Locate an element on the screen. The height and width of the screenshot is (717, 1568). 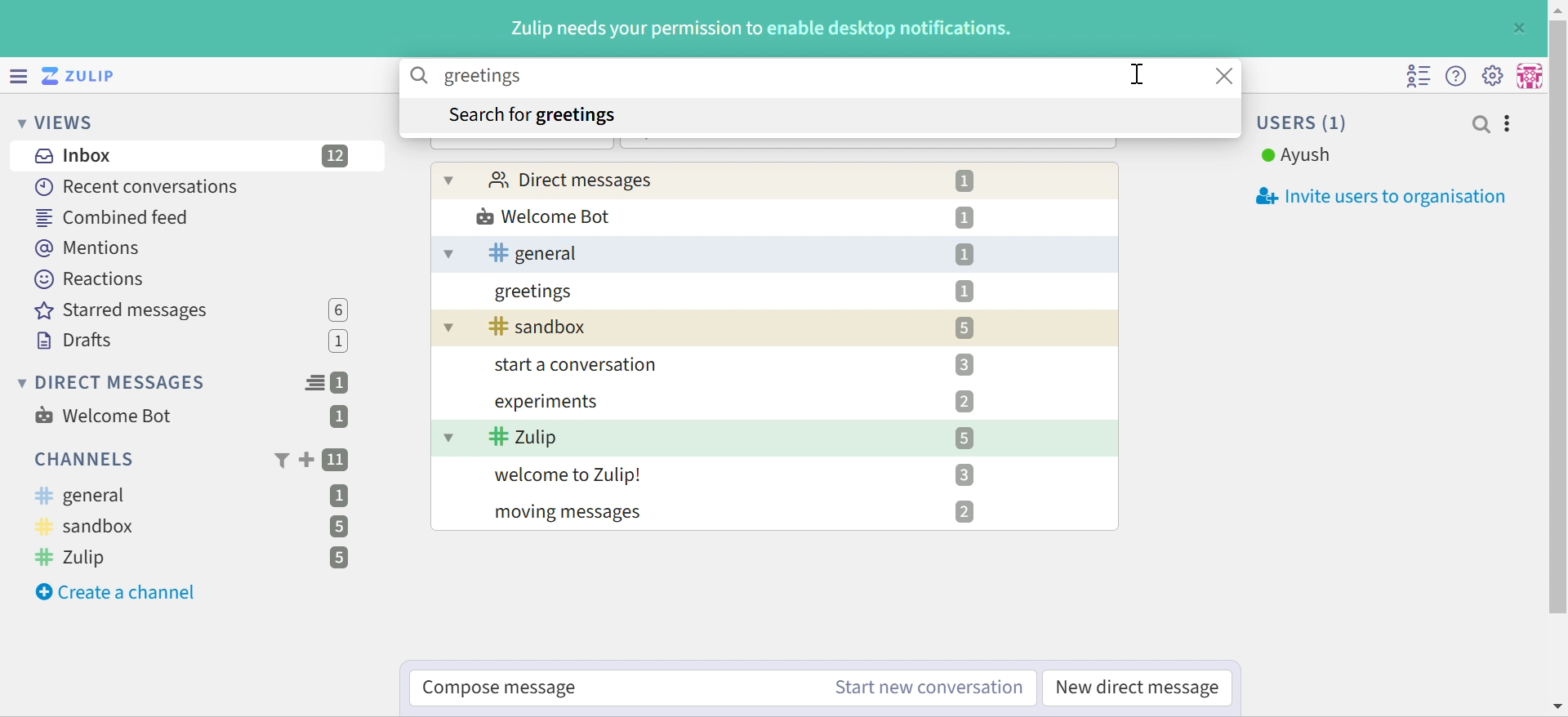
3 is located at coordinates (965, 364).